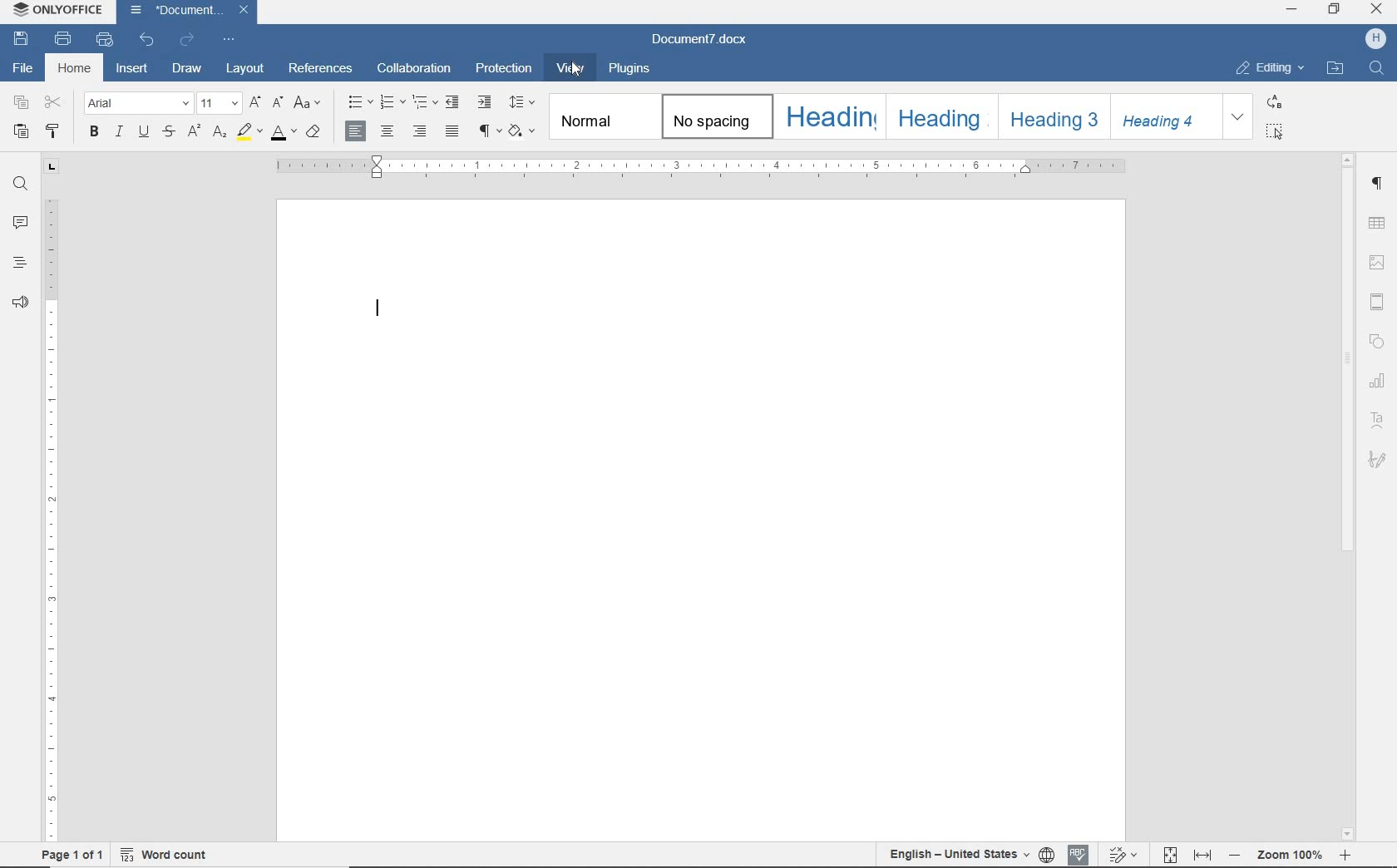 The height and width of the screenshot is (868, 1397). What do you see at coordinates (312, 103) in the screenshot?
I see `CHANGE CASE` at bounding box center [312, 103].